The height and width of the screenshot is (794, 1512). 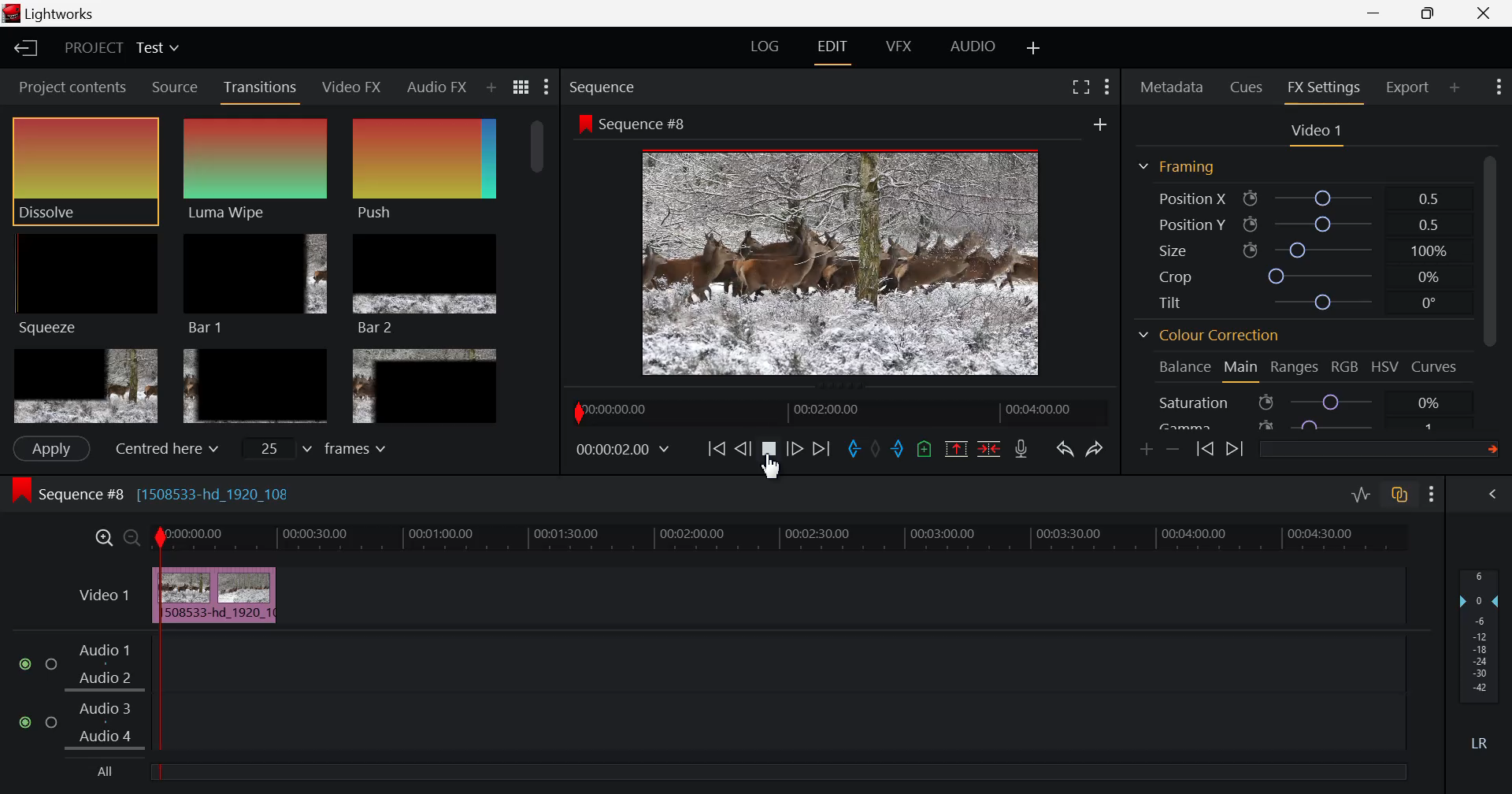 I want to click on Show Settings, so click(x=548, y=87).